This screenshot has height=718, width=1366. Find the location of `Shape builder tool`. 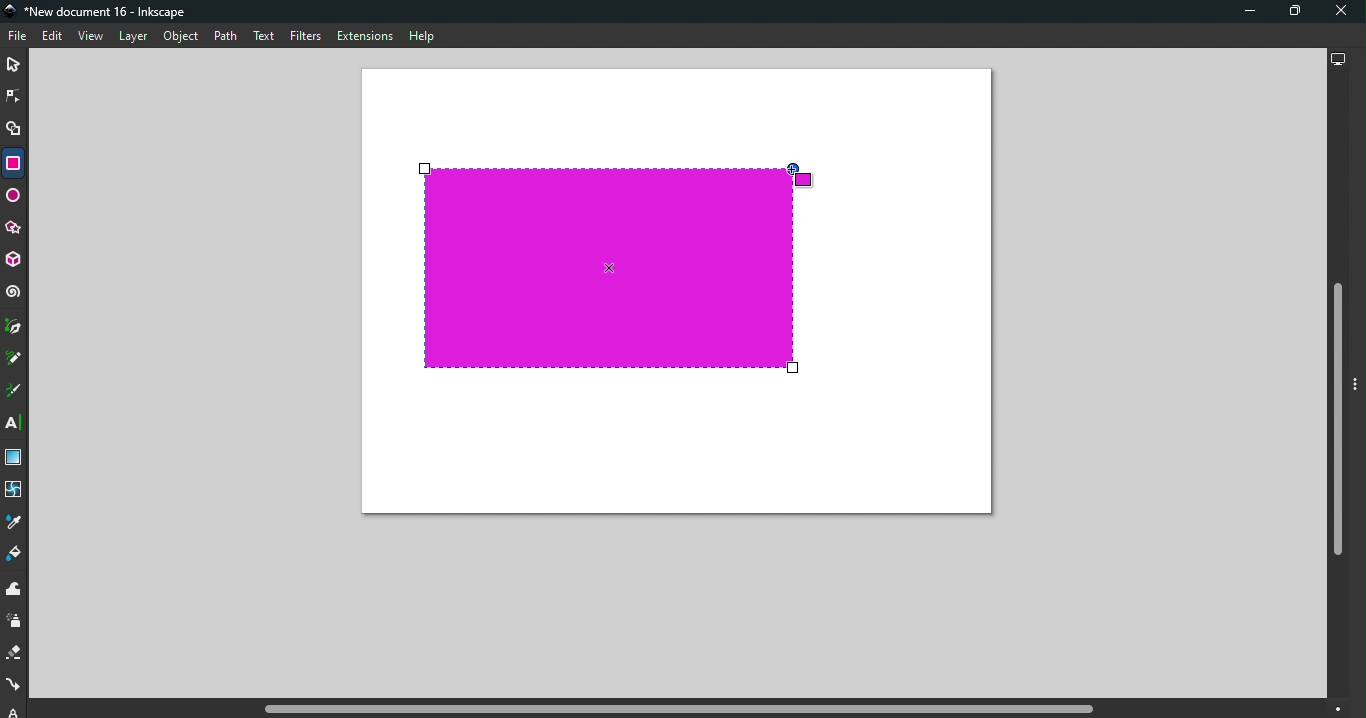

Shape builder tool is located at coordinates (16, 132).